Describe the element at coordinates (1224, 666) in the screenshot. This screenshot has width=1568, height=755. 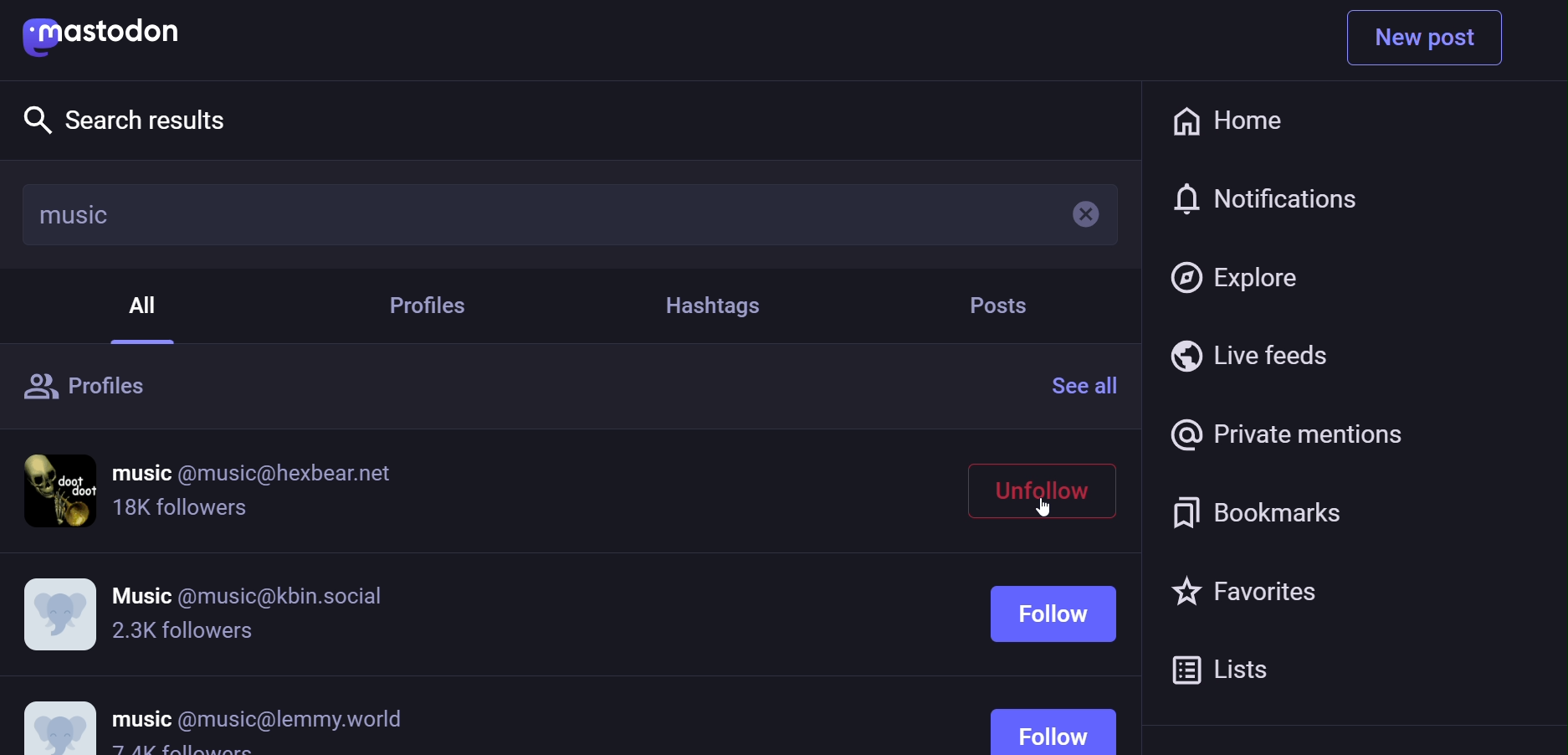
I see `list` at that location.